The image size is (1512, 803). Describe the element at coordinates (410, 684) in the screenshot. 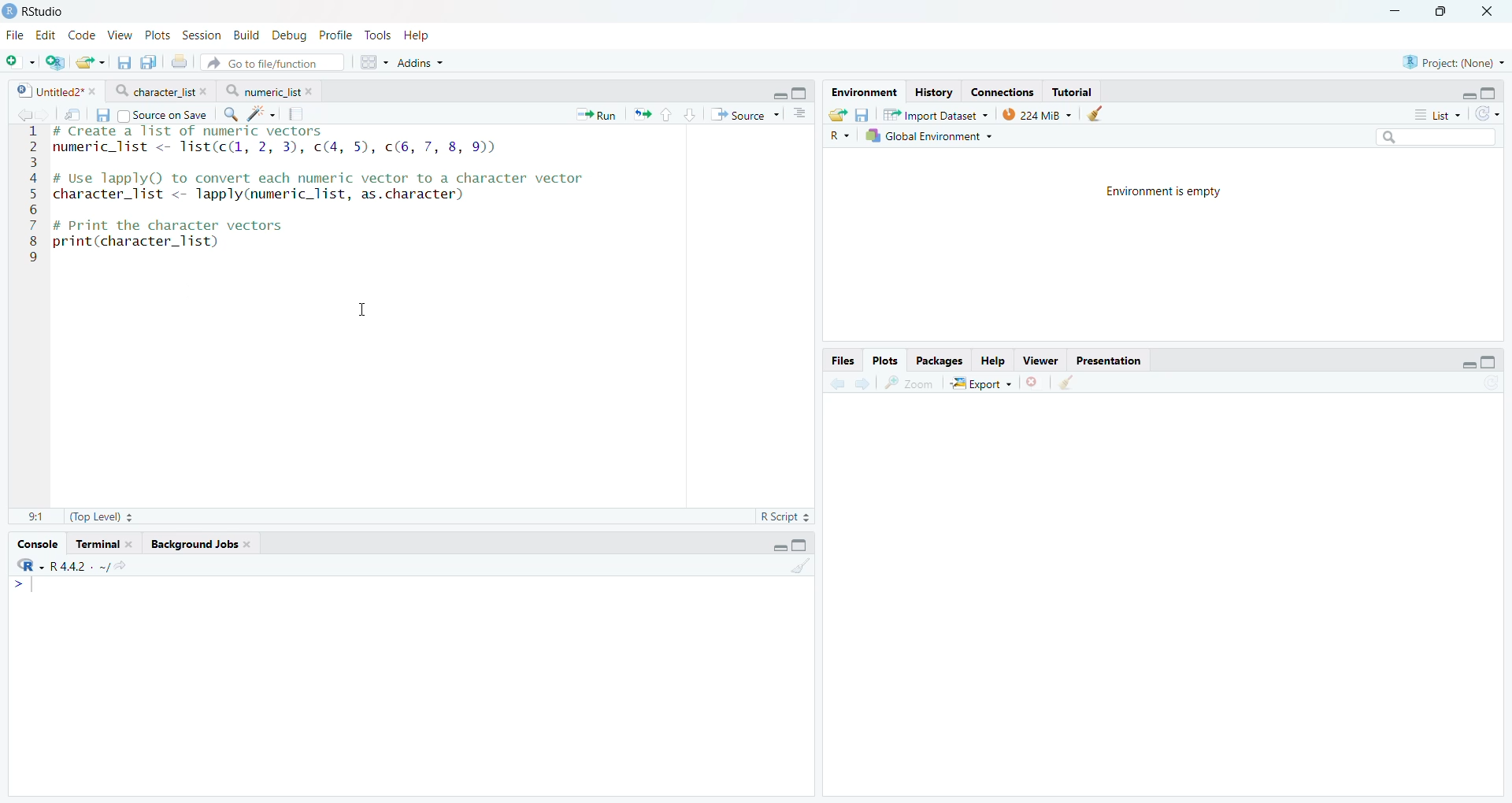

I see `Console` at that location.